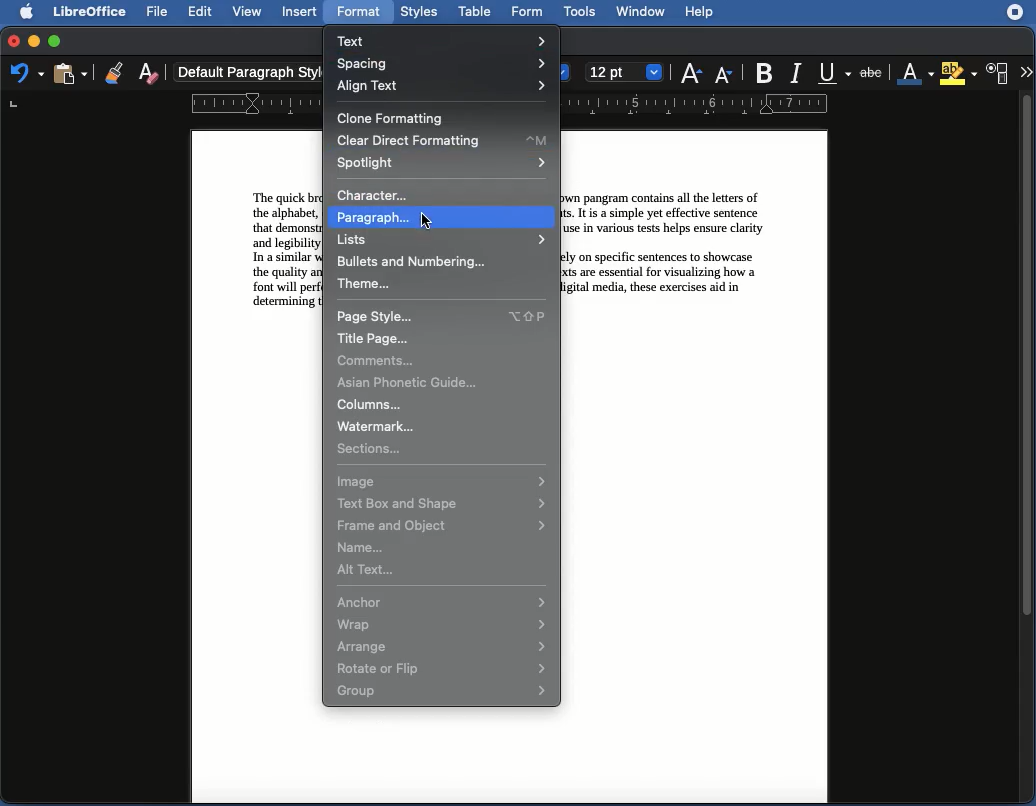 The width and height of the screenshot is (1036, 806). I want to click on Columns, so click(378, 405).